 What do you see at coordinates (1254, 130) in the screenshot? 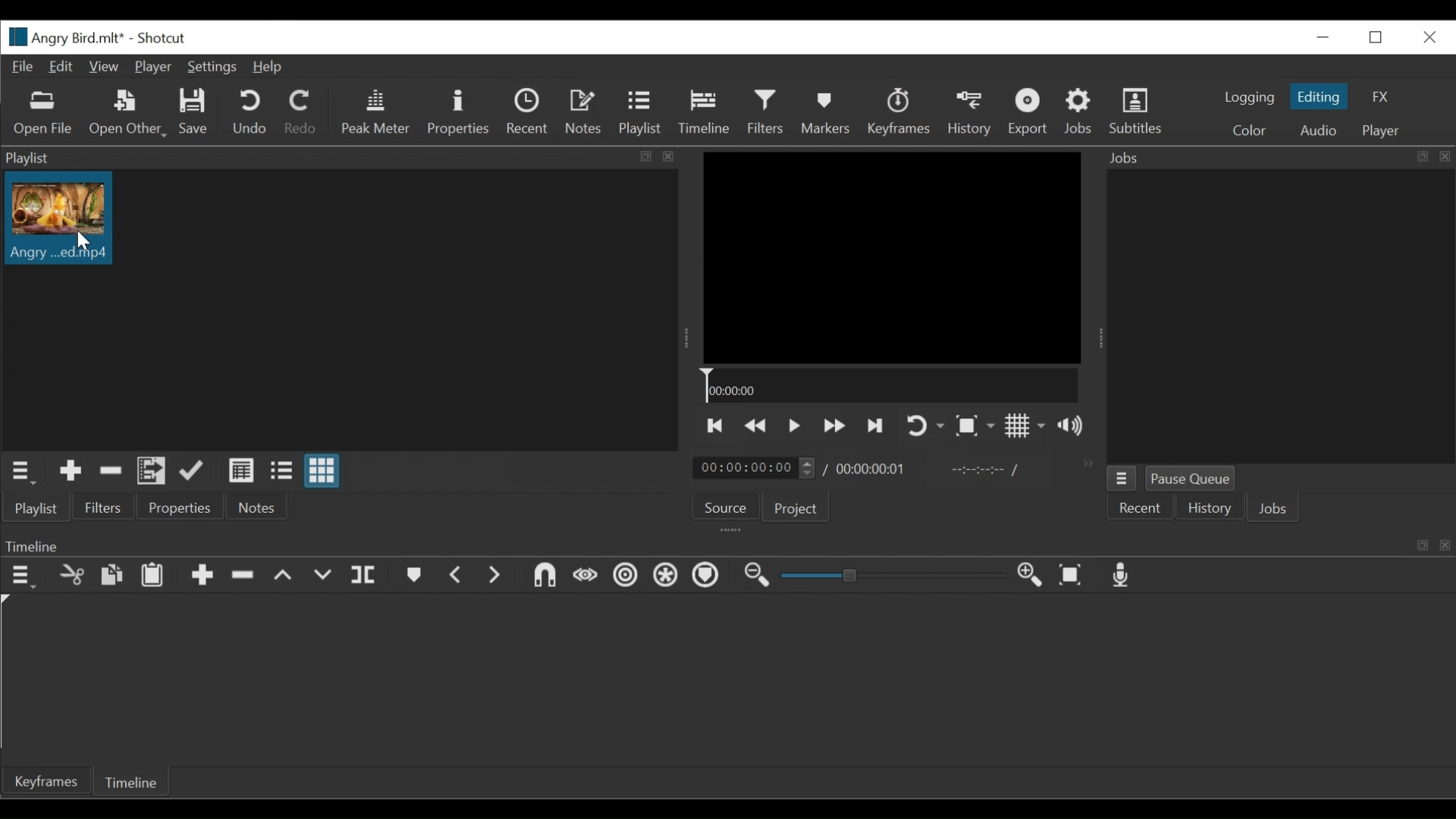
I see `Color` at bounding box center [1254, 130].